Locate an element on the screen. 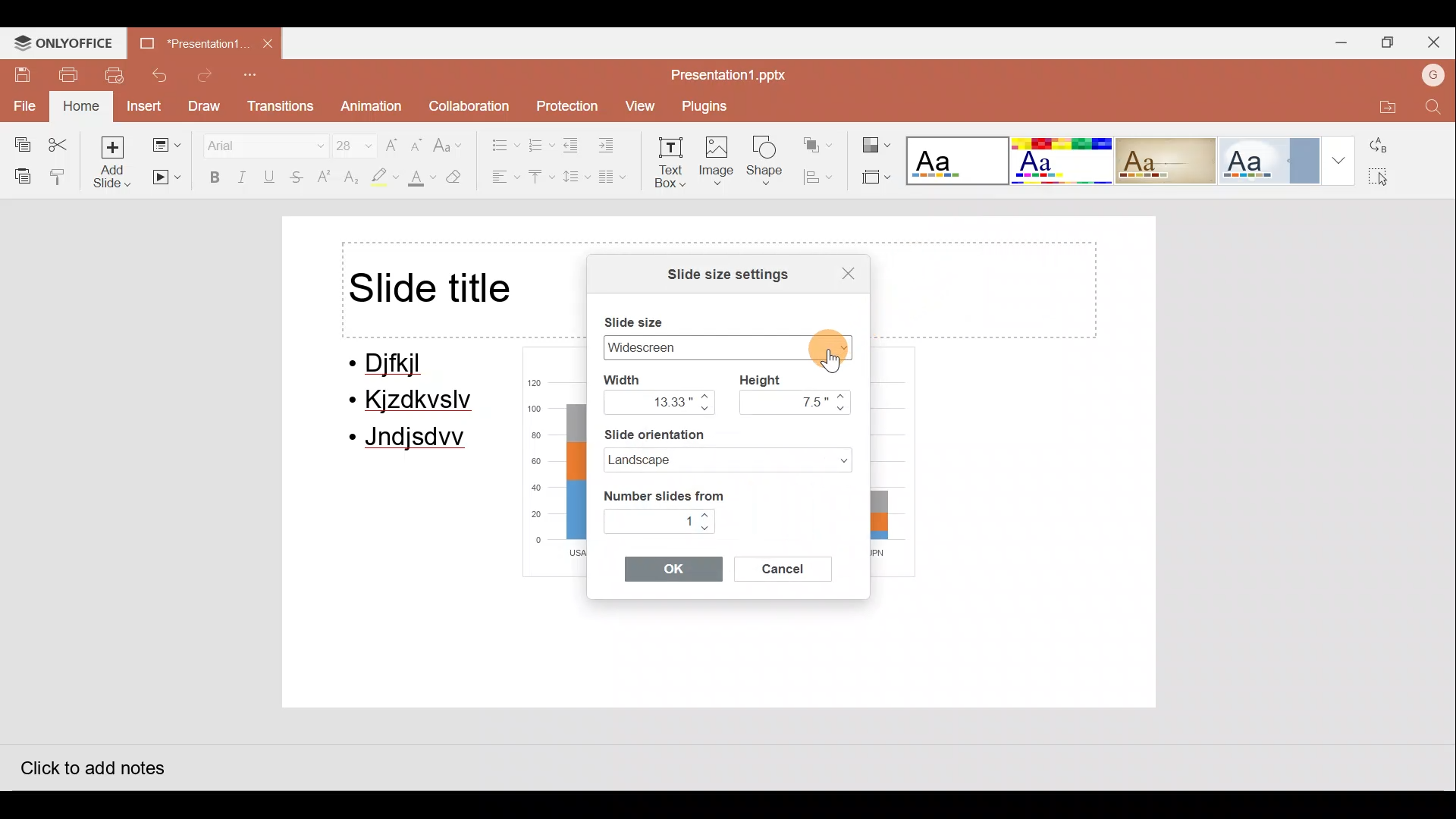  Protection is located at coordinates (564, 101).